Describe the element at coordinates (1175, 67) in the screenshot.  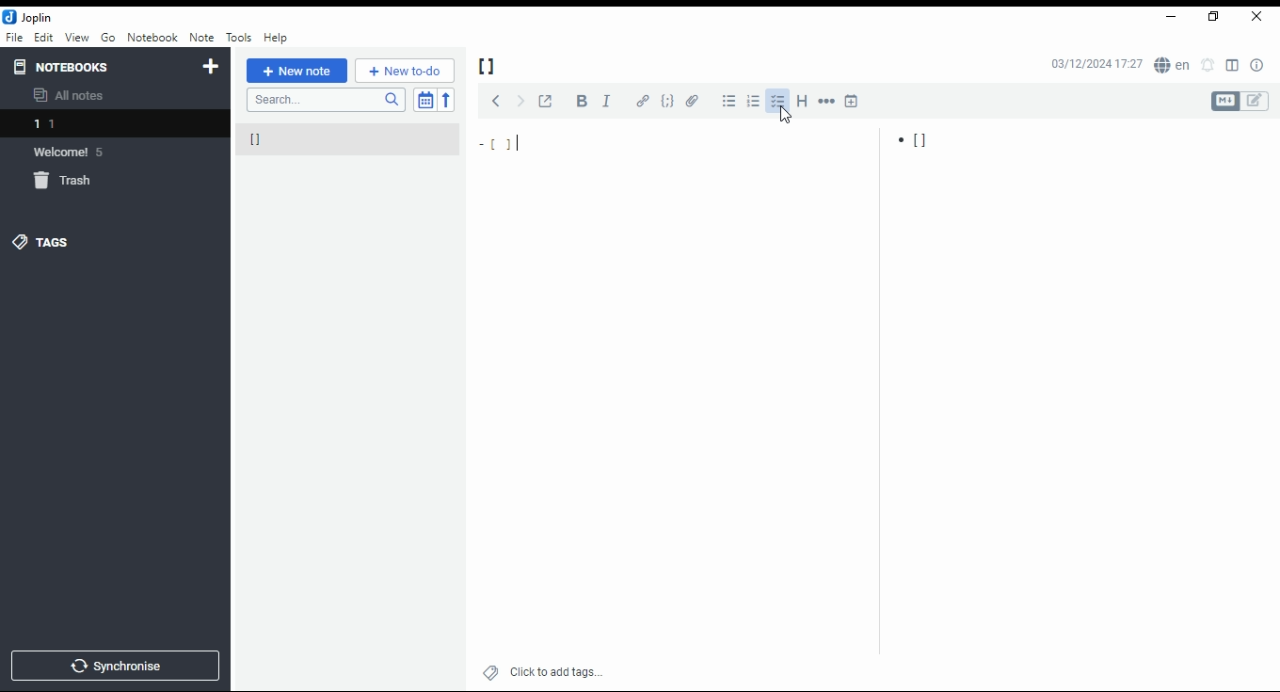
I see `spell checker` at that location.